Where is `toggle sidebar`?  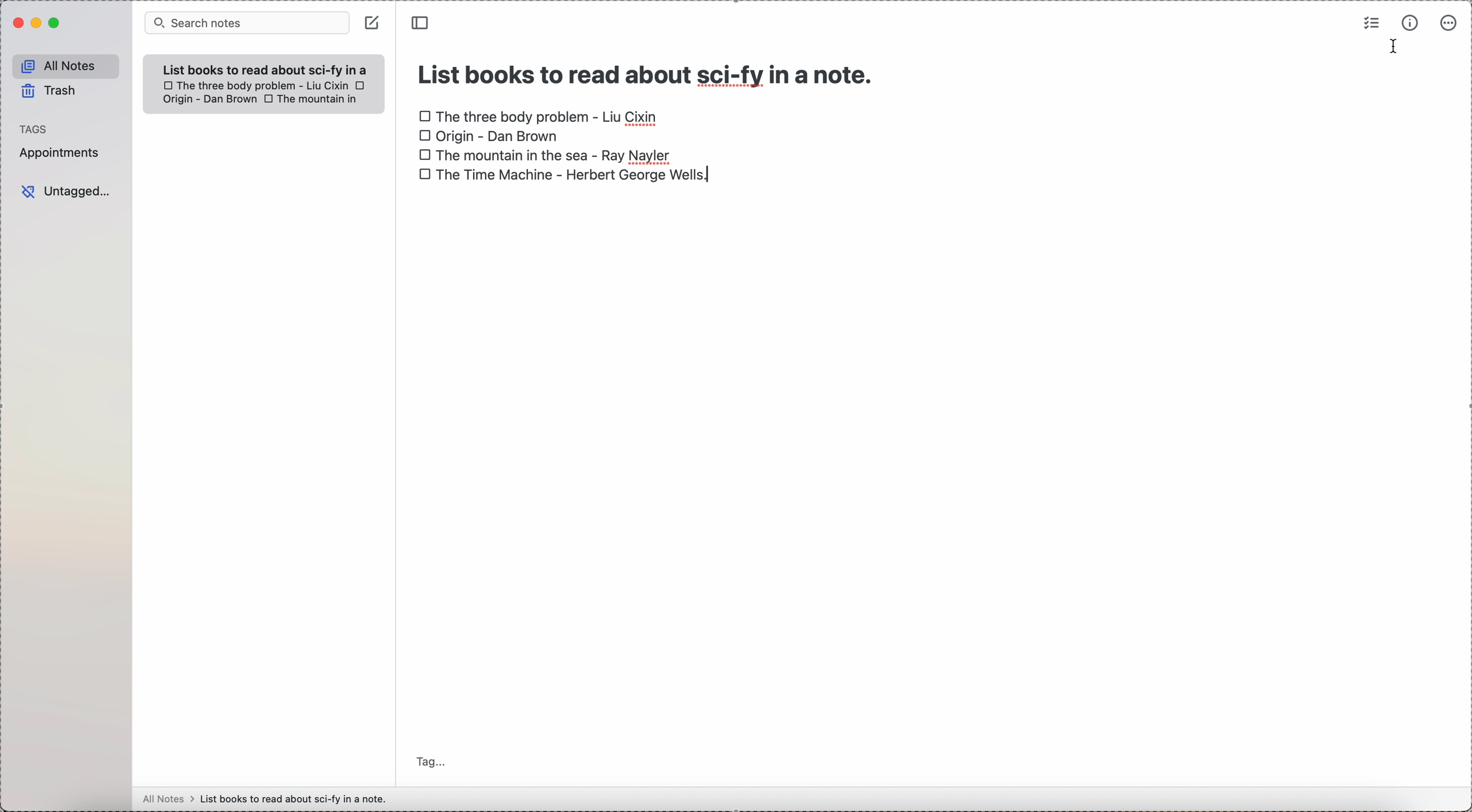
toggle sidebar is located at coordinates (422, 22).